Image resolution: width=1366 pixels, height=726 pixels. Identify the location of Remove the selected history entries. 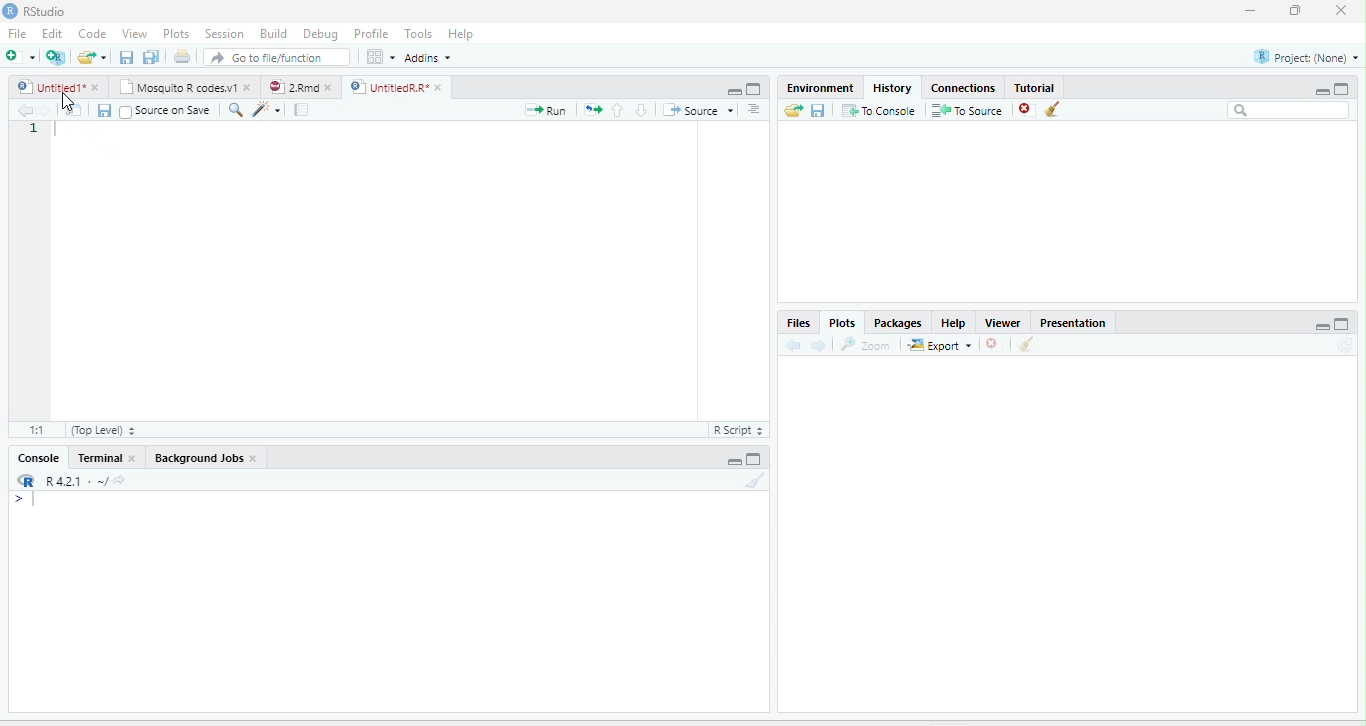
(1026, 109).